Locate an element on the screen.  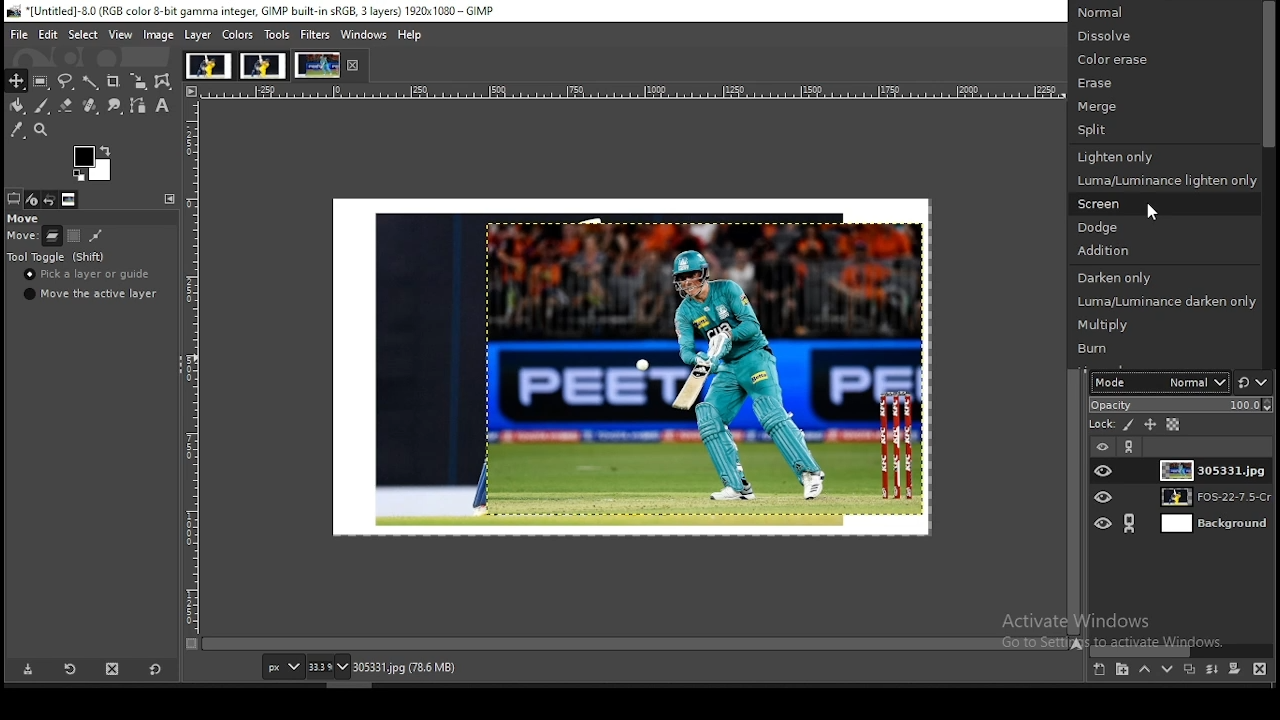
color erase is located at coordinates (1164, 62).